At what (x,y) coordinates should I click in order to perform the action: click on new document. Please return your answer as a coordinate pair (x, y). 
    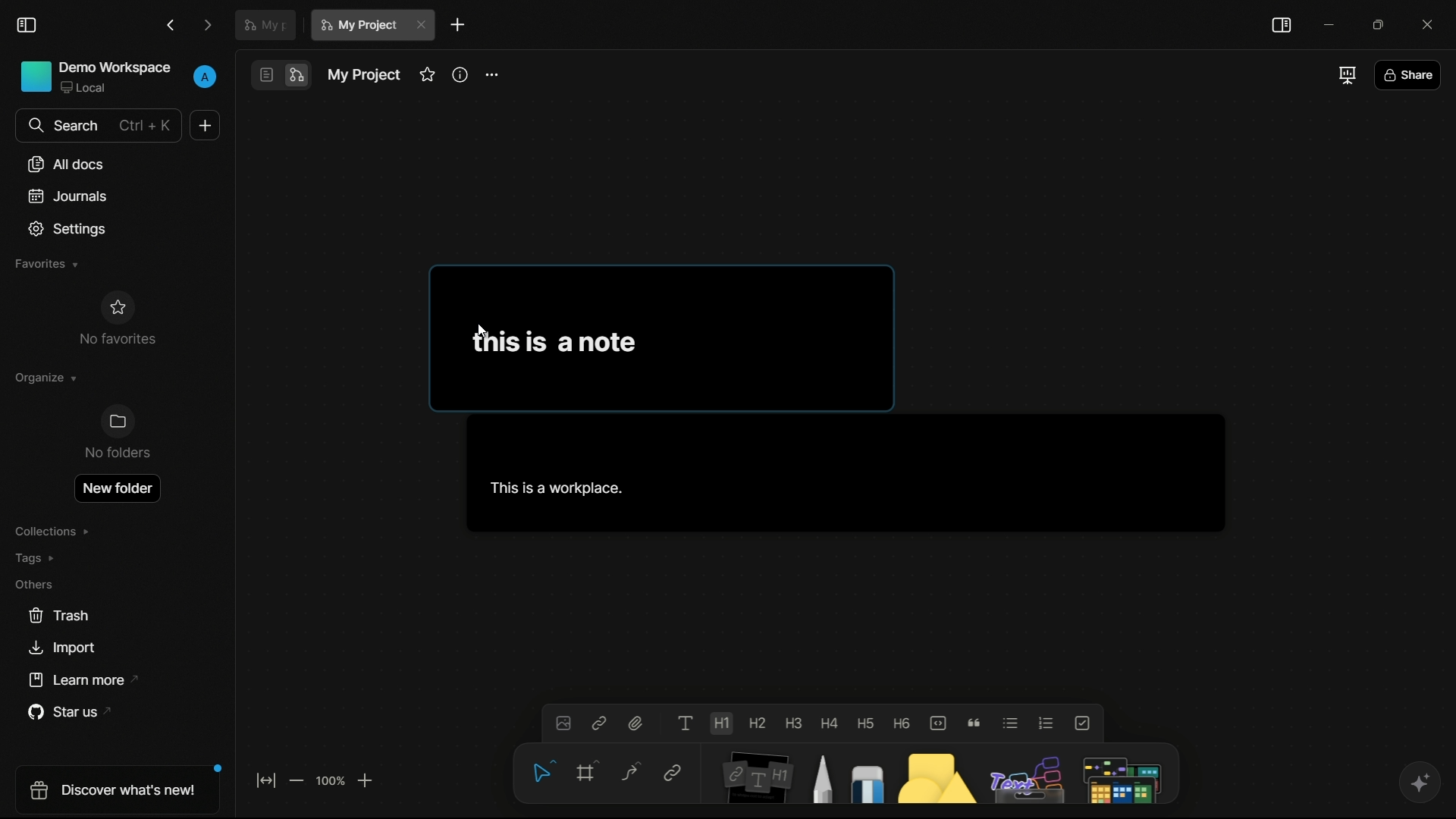
    Looking at the image, I should click on (202, 125).